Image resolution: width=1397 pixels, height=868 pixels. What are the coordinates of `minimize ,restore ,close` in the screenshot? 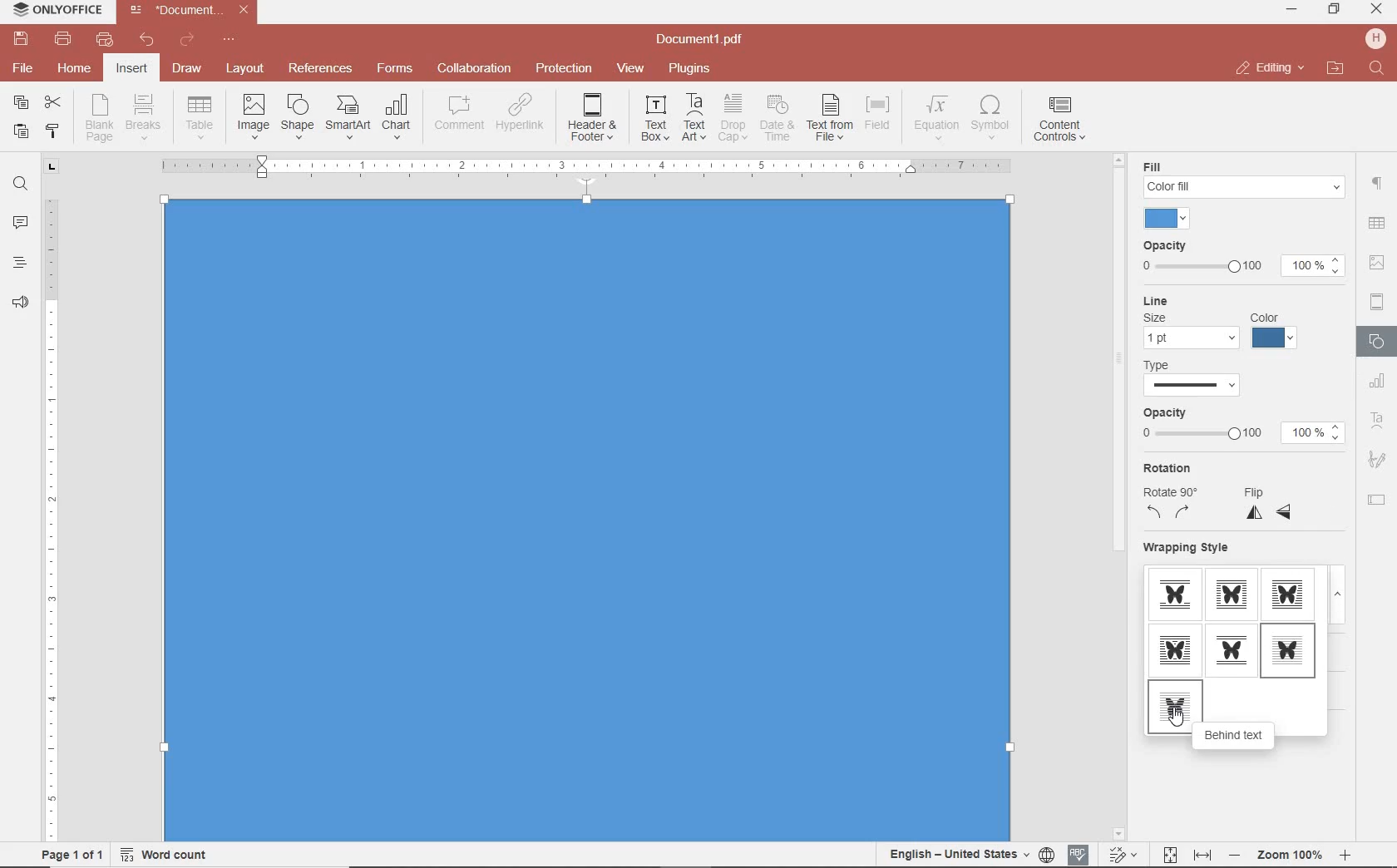 It's located at (1380, 10).